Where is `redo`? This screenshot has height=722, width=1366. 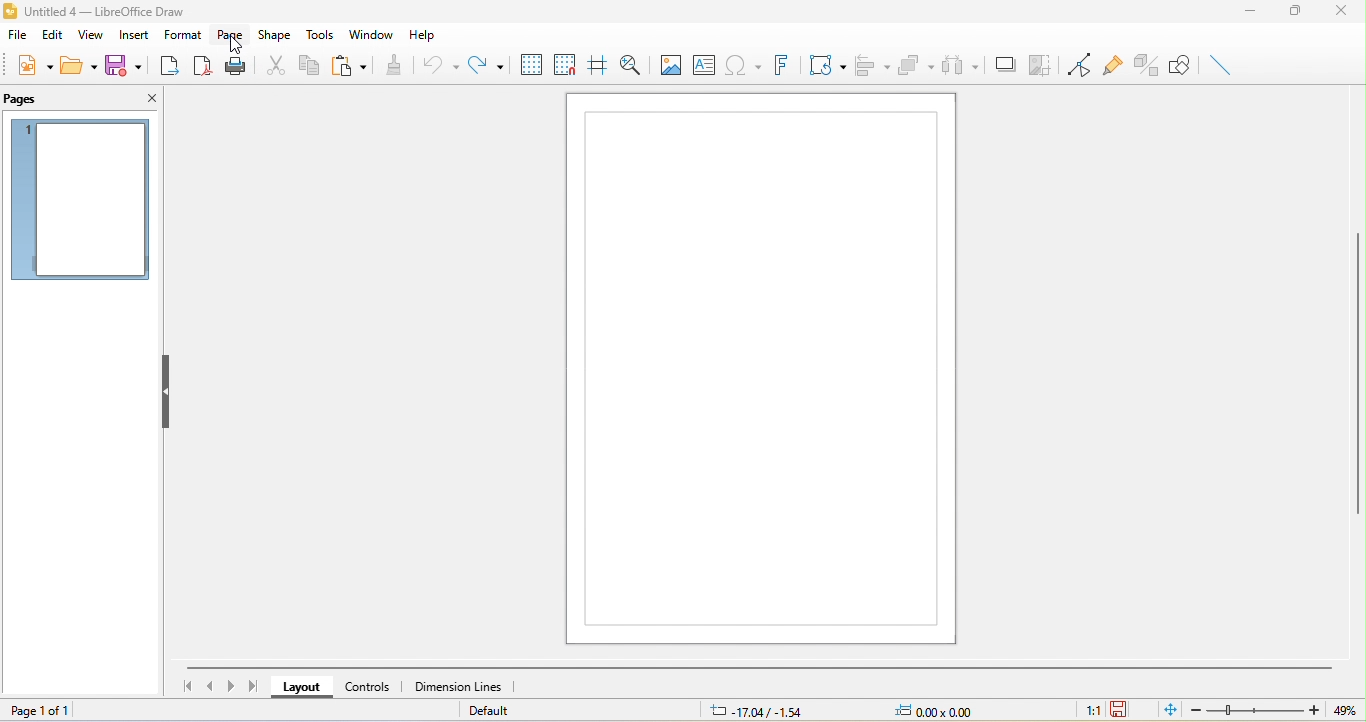
redo is located at coordinates (490, 64).